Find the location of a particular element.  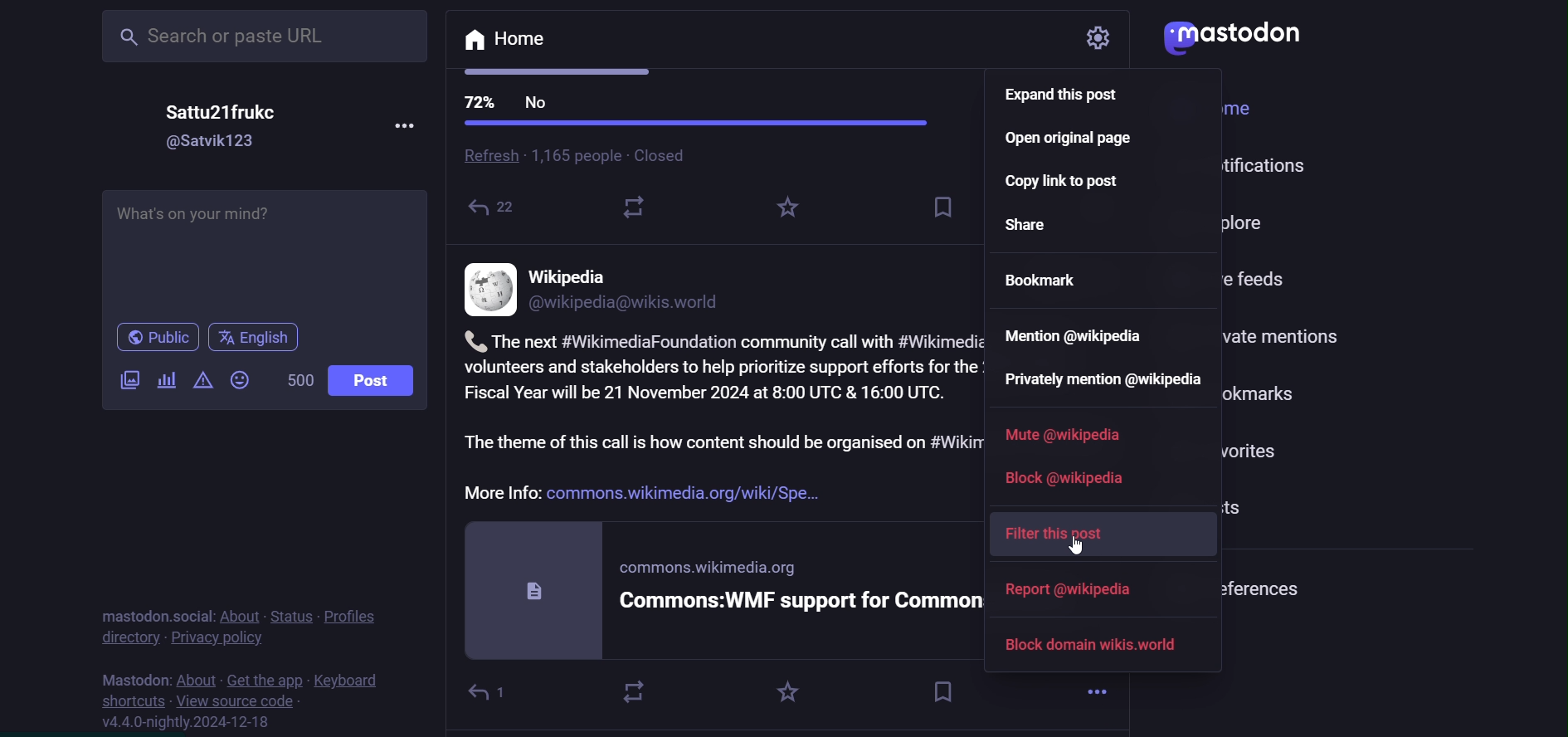

No is located at coordinates (539, 104).